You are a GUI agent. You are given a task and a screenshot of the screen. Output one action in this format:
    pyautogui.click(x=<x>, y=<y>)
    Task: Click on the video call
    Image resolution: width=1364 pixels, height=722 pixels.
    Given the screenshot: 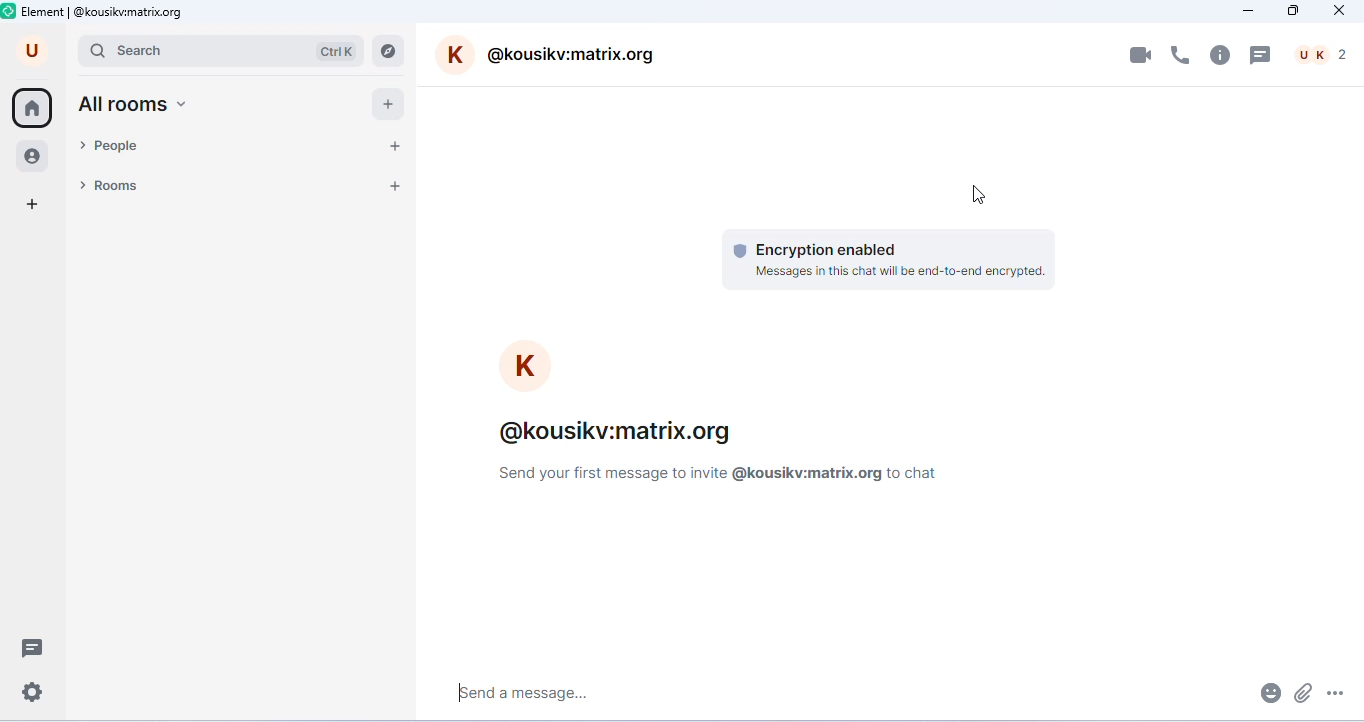 What is the action you would take?
    pyautogui.click(x=1142, y=55)
    